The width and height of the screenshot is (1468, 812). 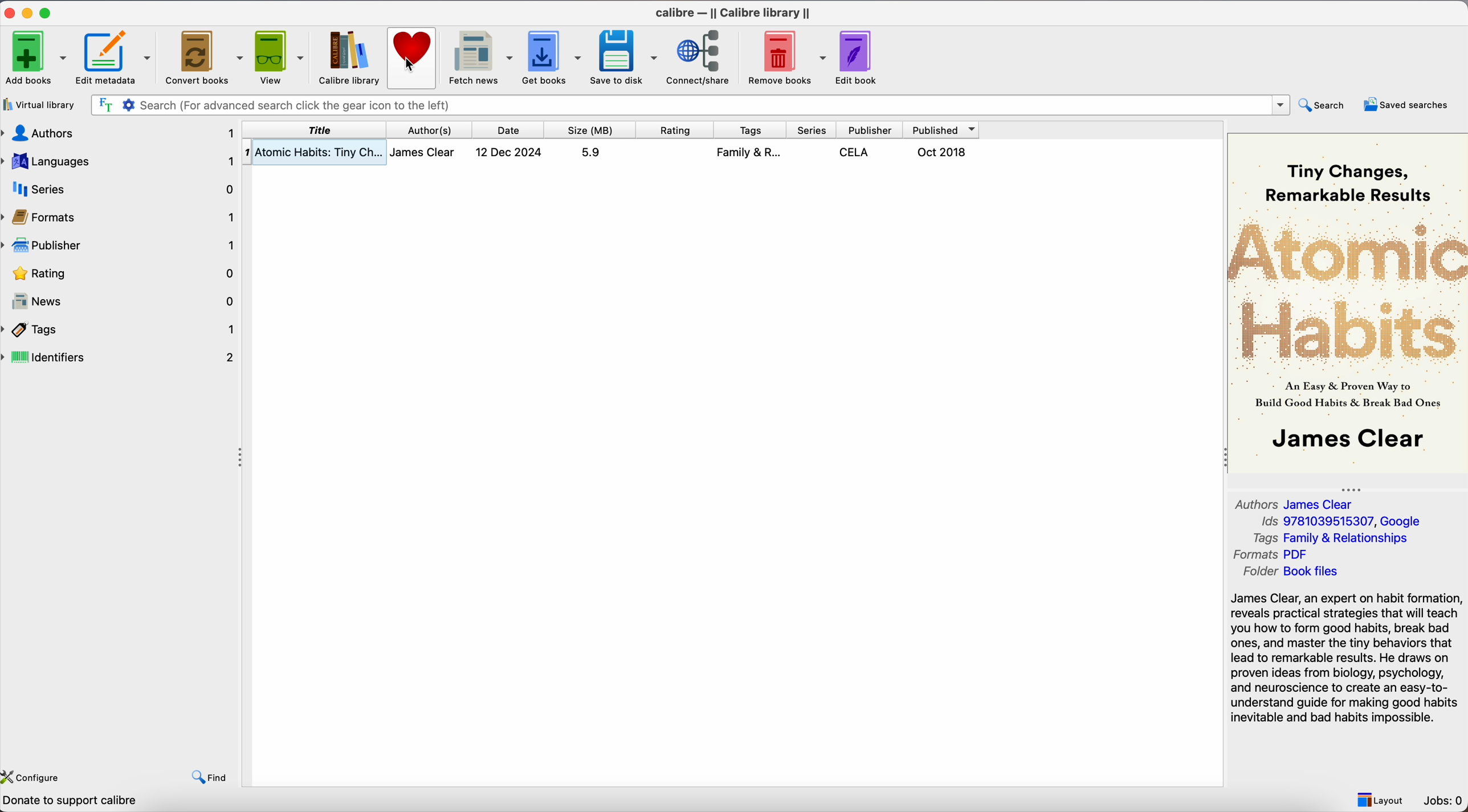 What do you see at coordinates (1442, 801) in the screenshot?
I see `Jobs: 0` at bounding box center [1442, 801].